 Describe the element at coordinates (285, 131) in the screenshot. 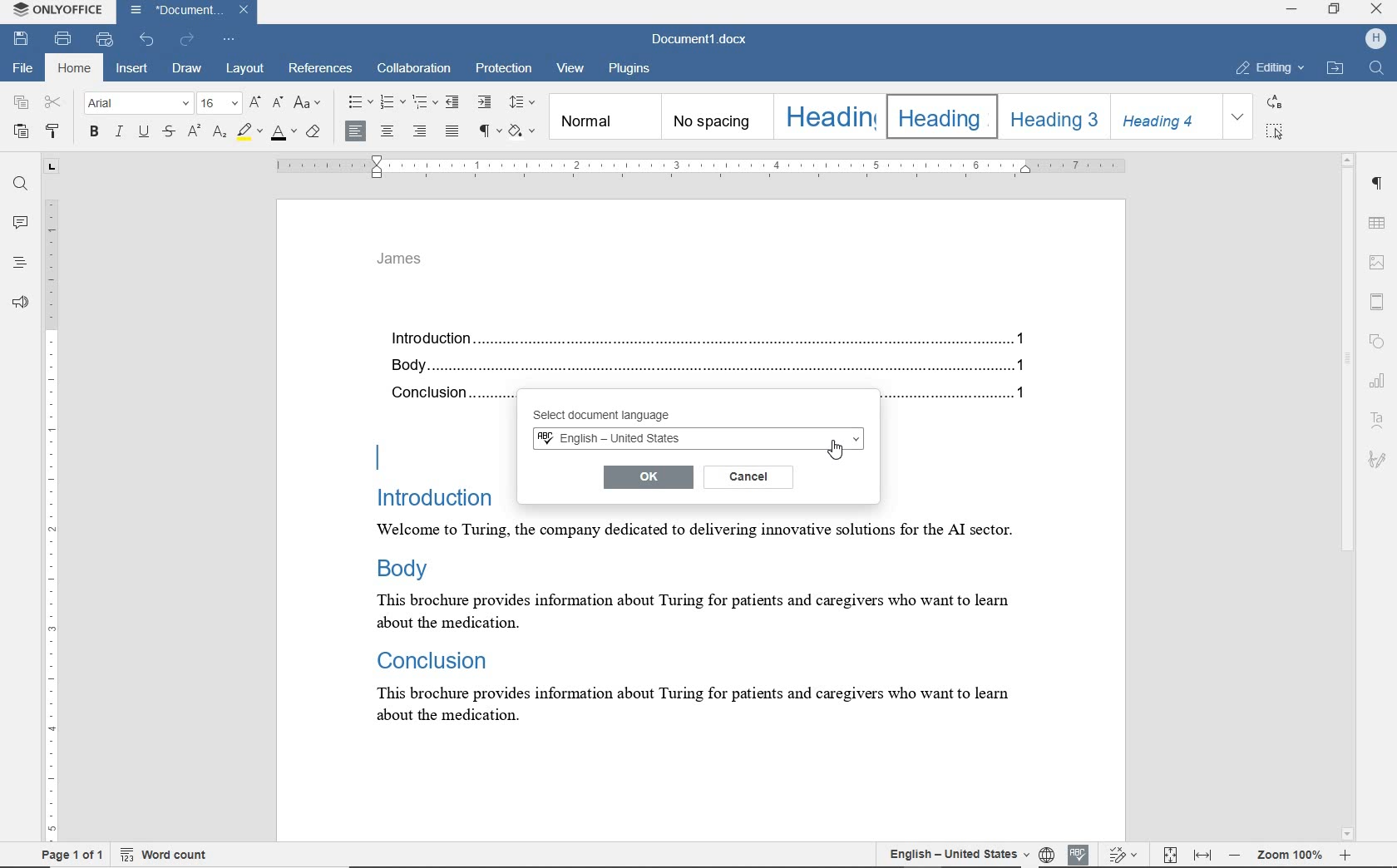

I see `font color` at that location.